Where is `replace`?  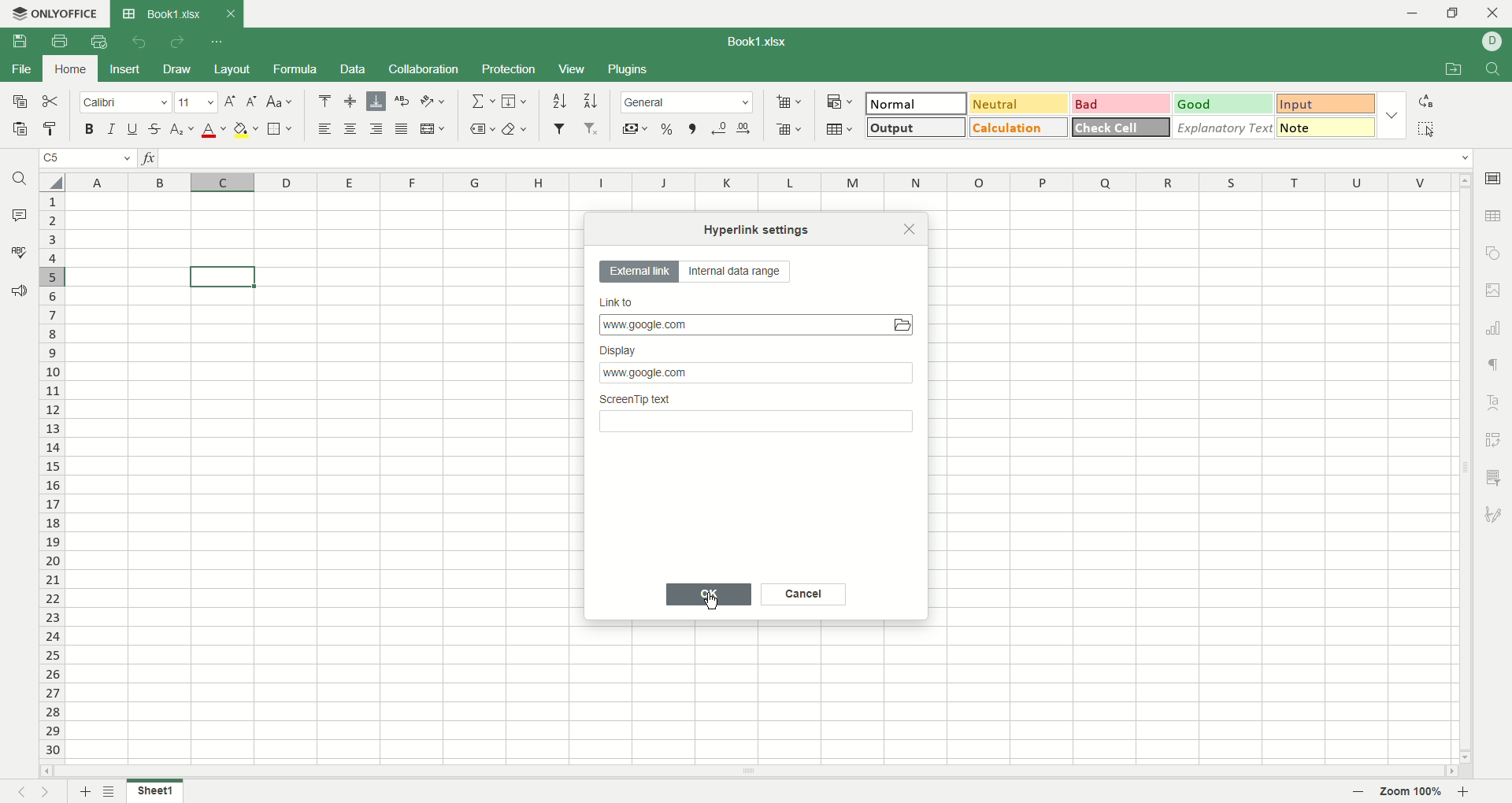
replace is located at coordinates (1426, 101).